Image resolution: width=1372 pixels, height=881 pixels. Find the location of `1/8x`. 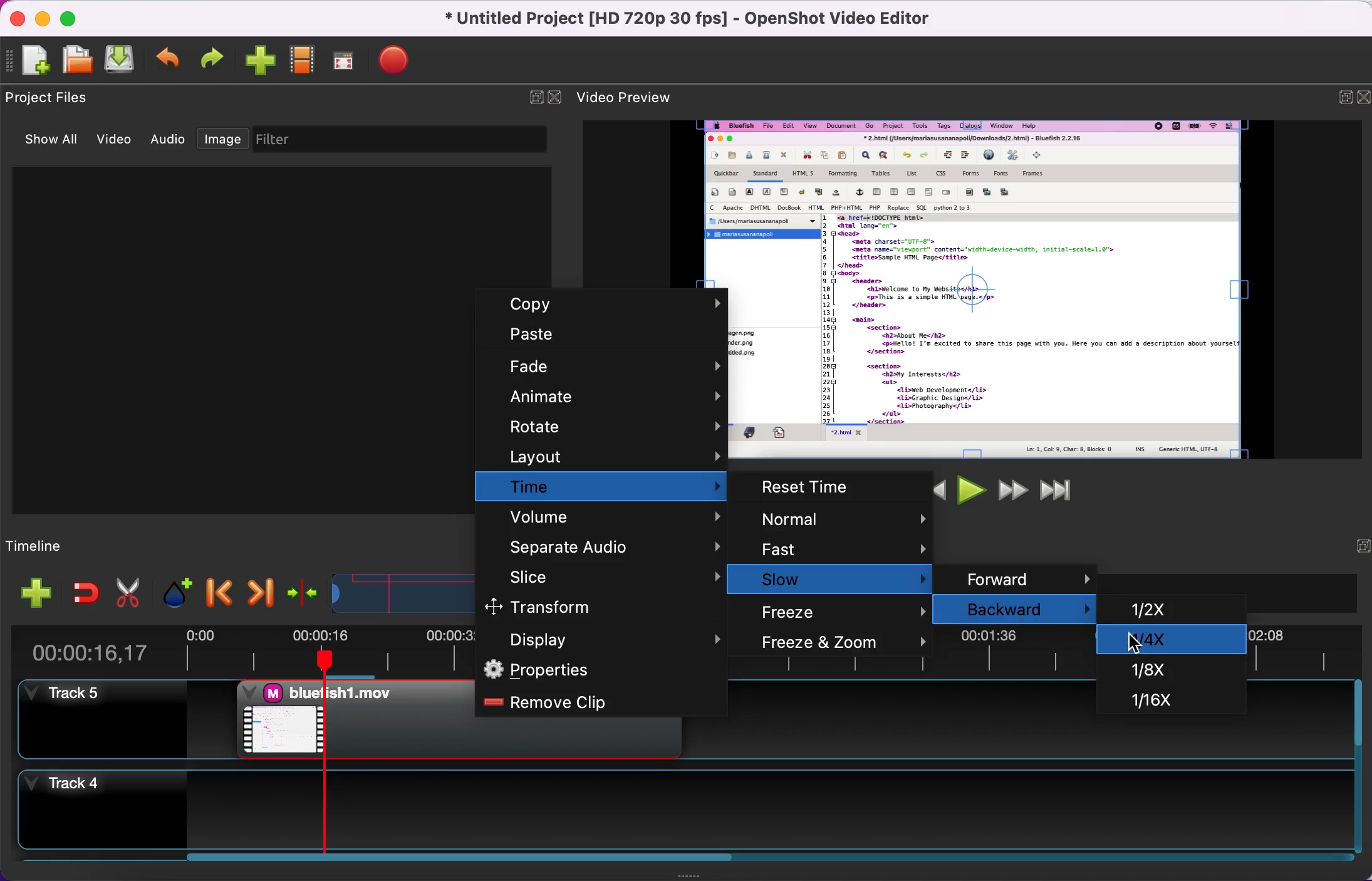

1/8x is located at coordinates (1136, 674).